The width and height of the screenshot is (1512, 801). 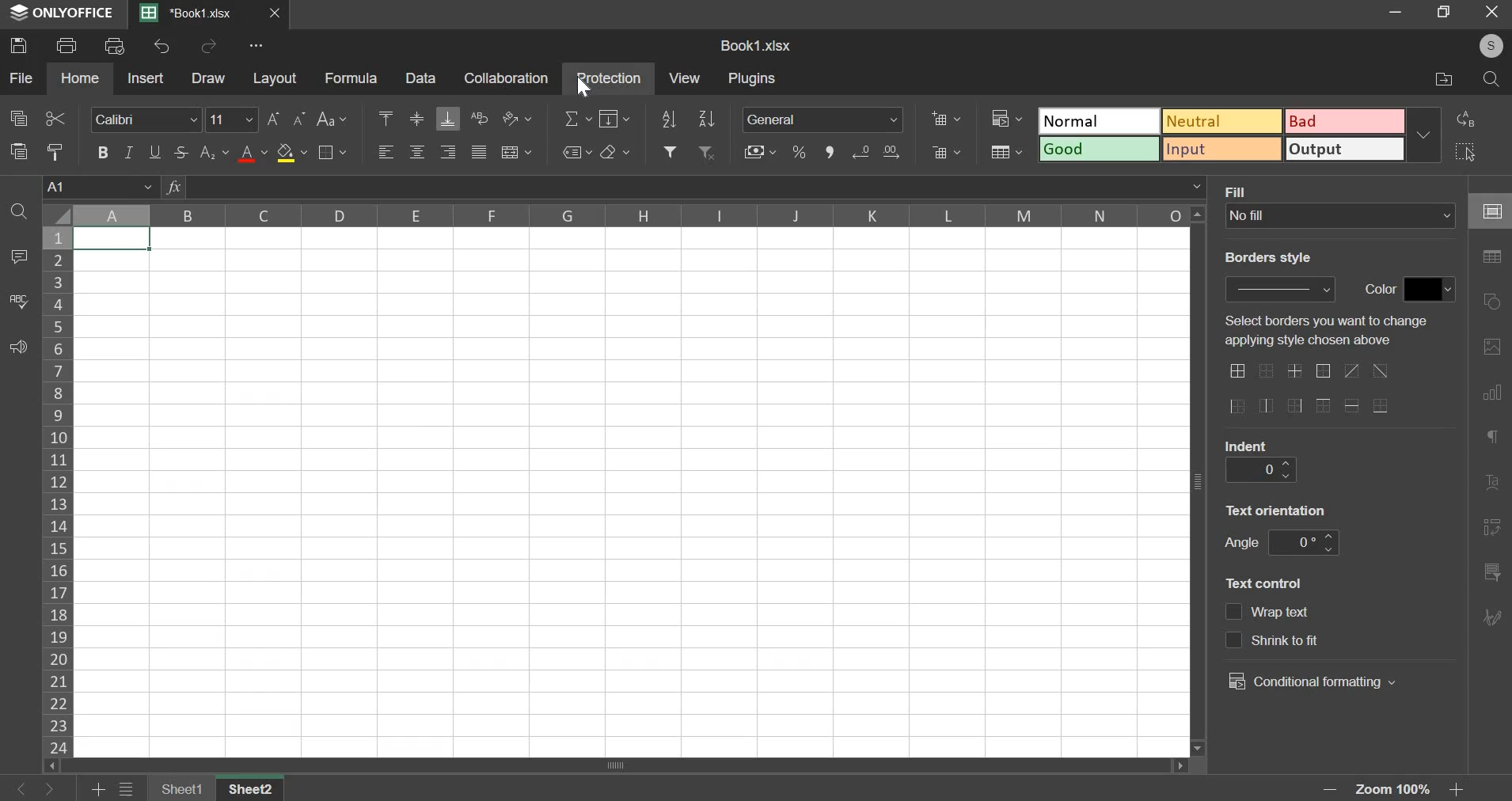 I want to click on view, so click(x=686, y=78).